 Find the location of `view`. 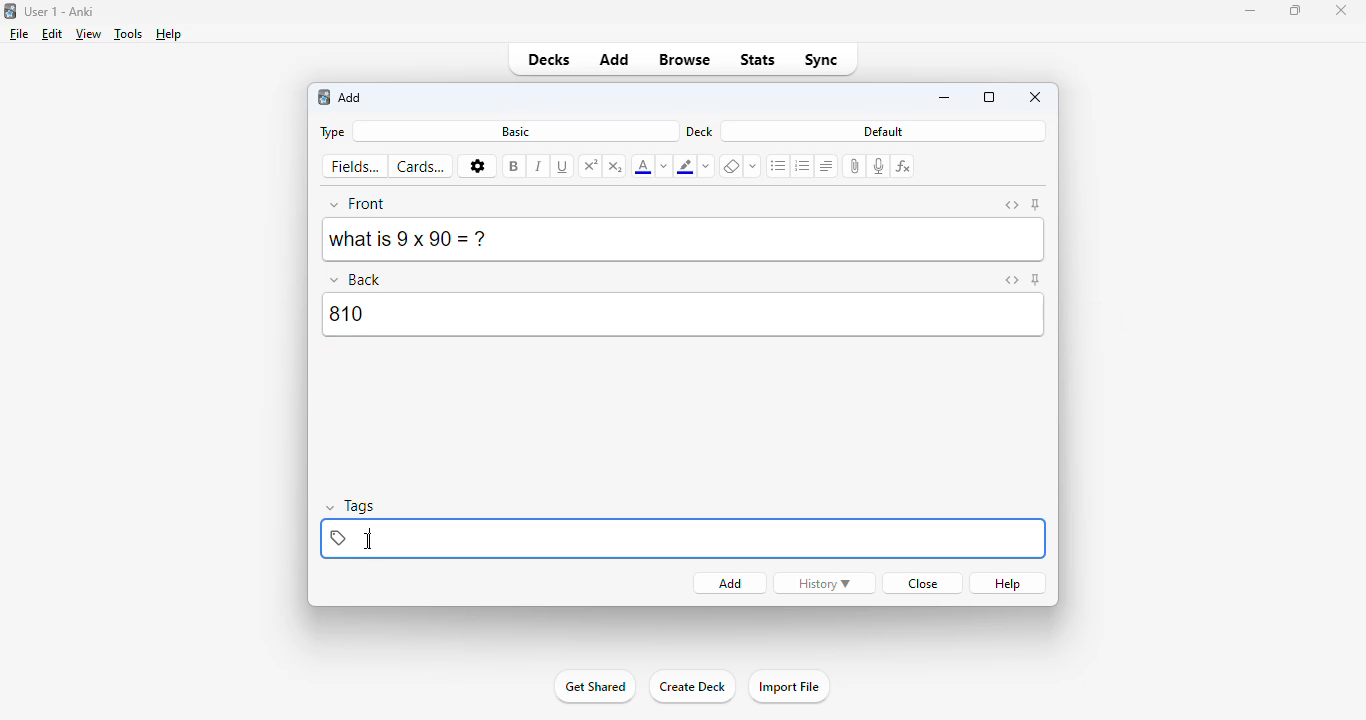

view is located at coordinates (89, 33).